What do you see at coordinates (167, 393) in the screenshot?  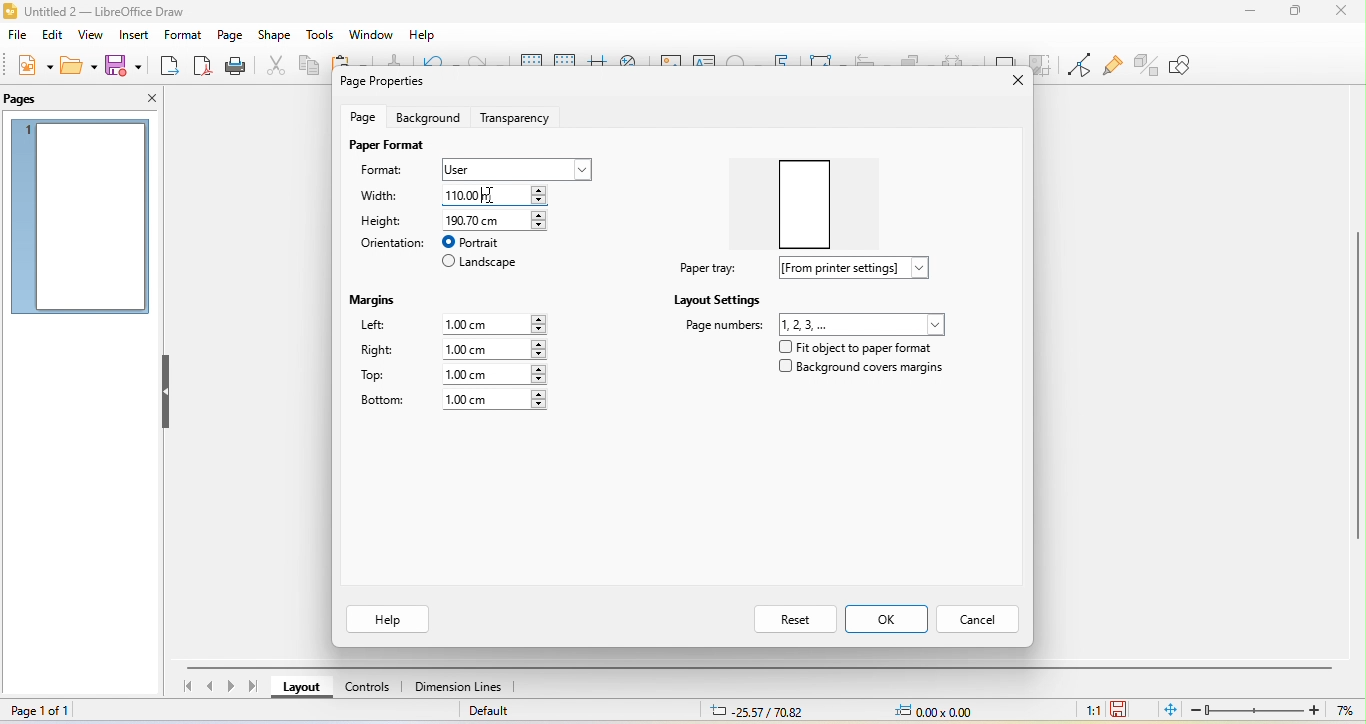 I see `hide` at bounding box center [167, 393].